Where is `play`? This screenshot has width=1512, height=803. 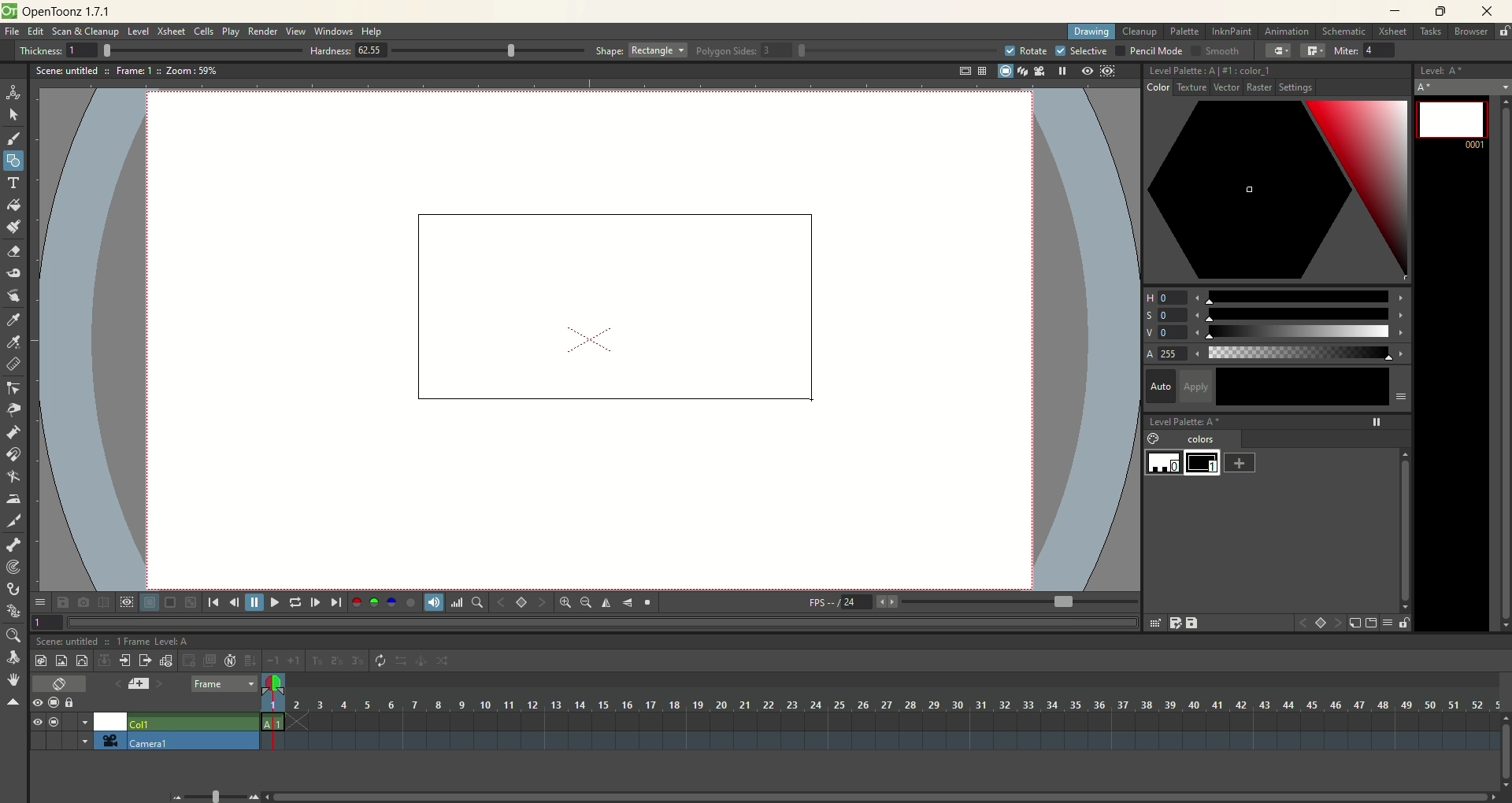
play is located at coordinates (231, 31).